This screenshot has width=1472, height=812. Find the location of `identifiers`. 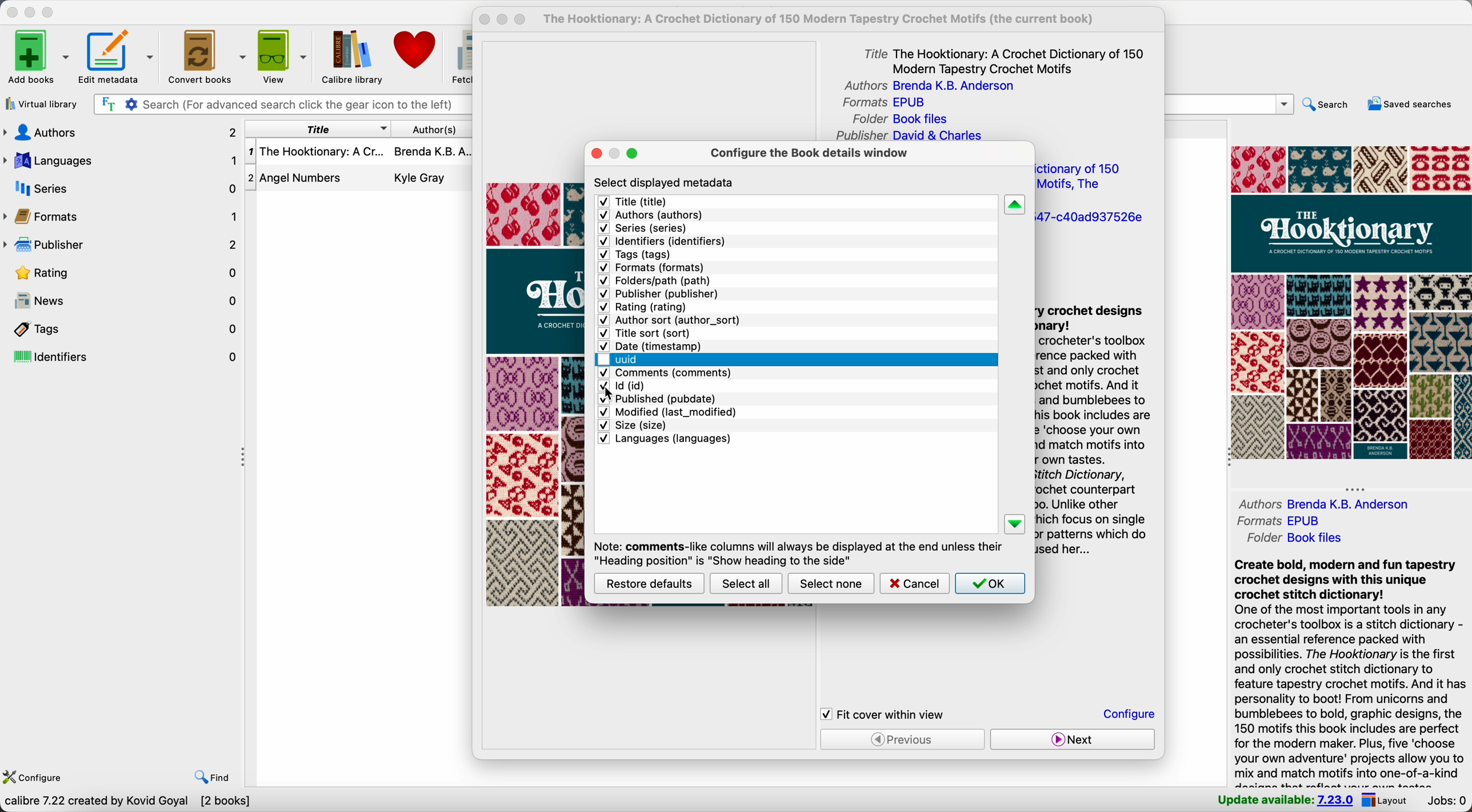

identifiers is located at coordinates (122, 358).